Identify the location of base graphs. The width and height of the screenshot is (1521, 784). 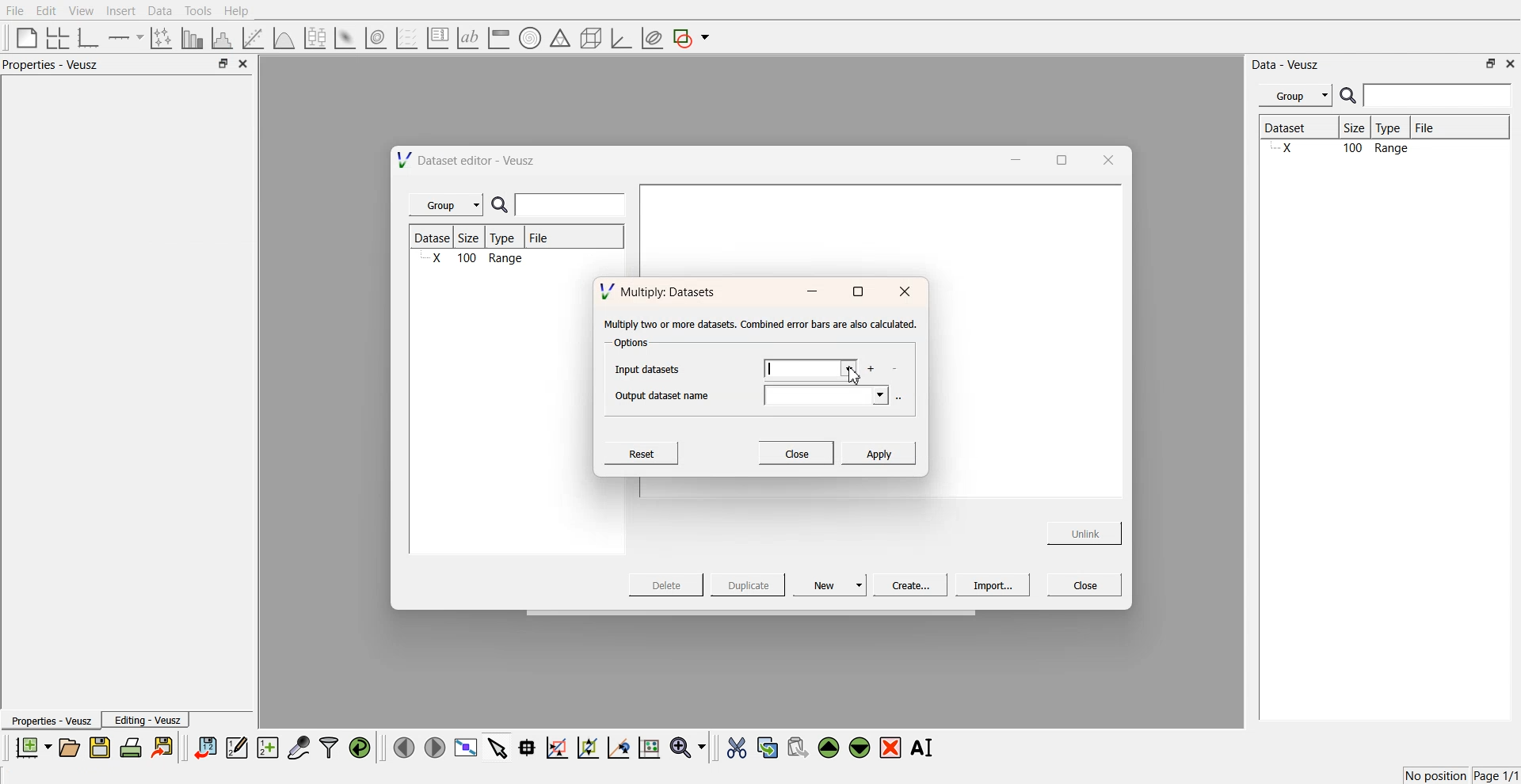
(90, 37).